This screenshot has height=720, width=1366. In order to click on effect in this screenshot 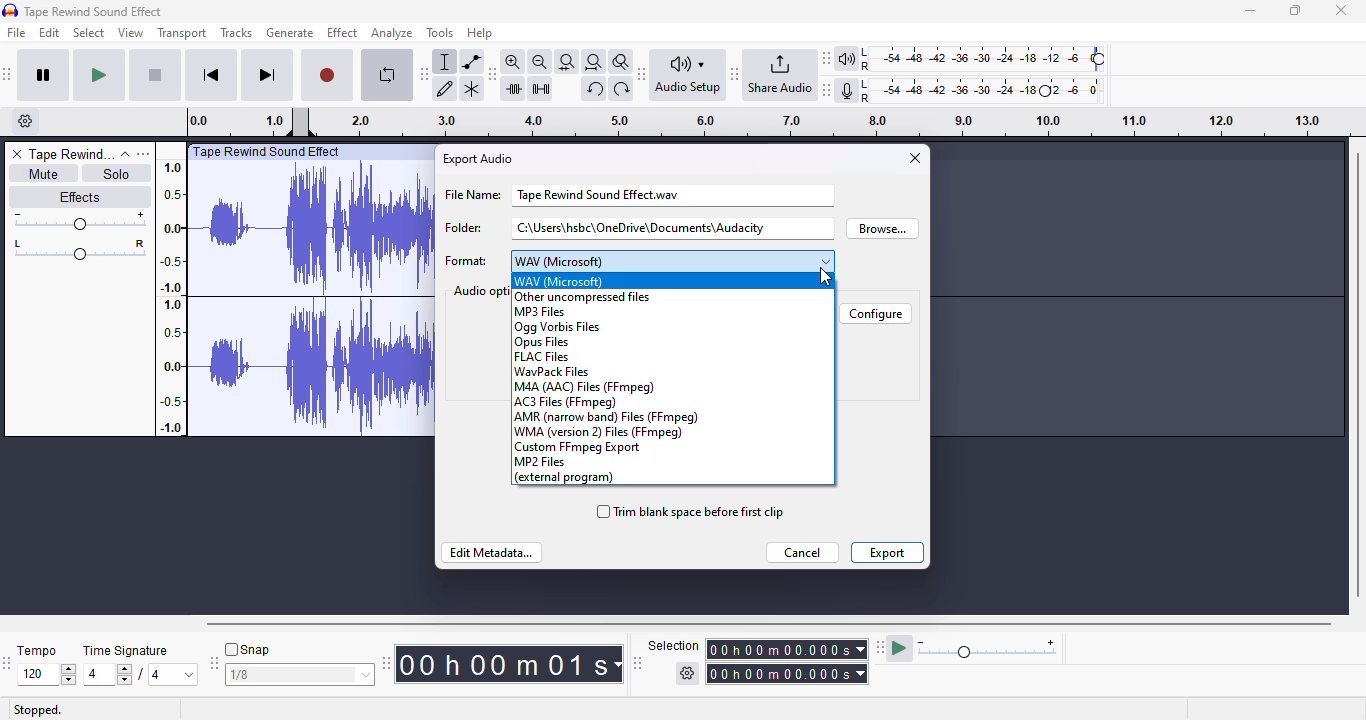, I will do `click(342, 32)`.